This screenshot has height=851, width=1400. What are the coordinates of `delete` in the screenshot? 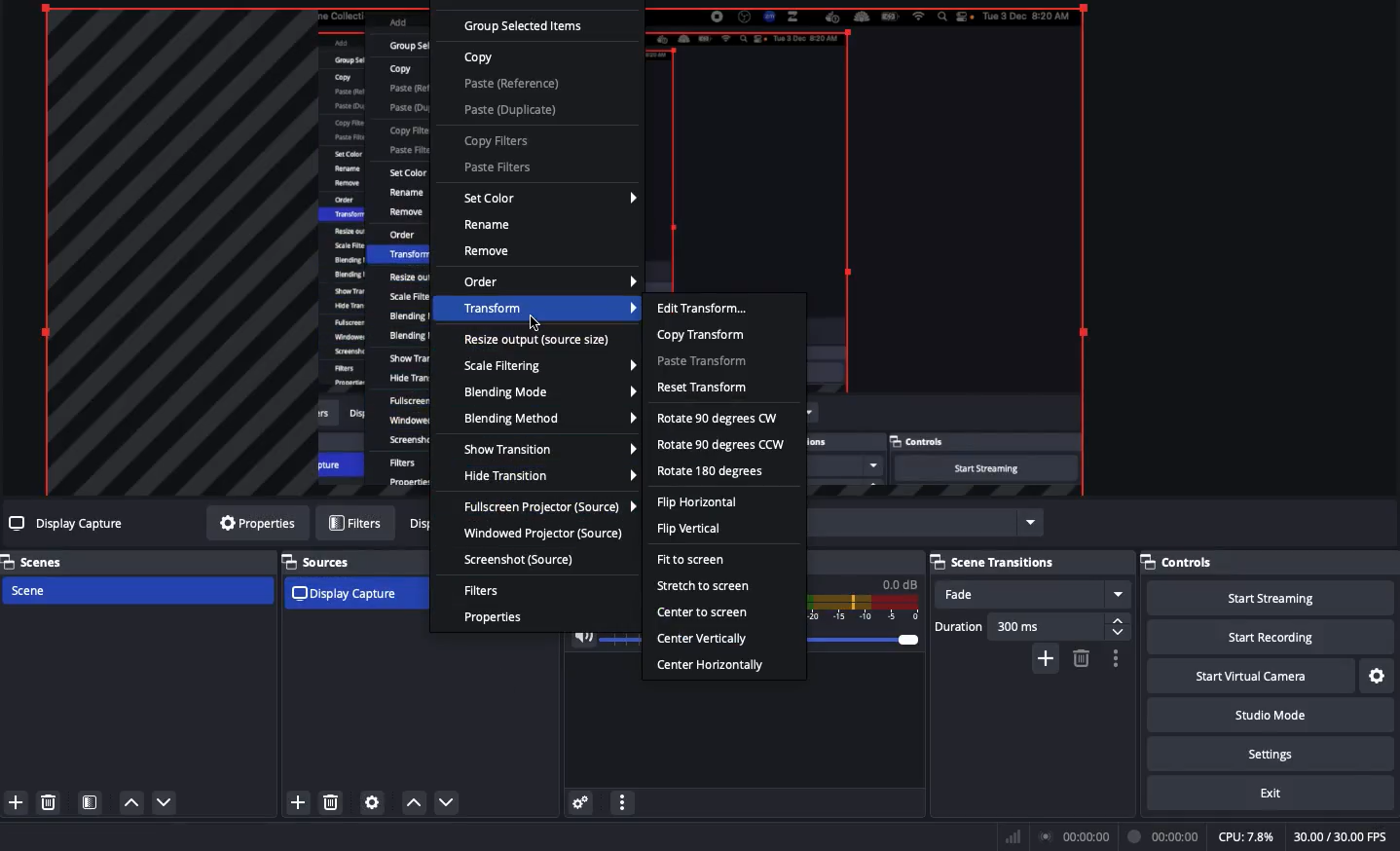 It's located at (331, 800).